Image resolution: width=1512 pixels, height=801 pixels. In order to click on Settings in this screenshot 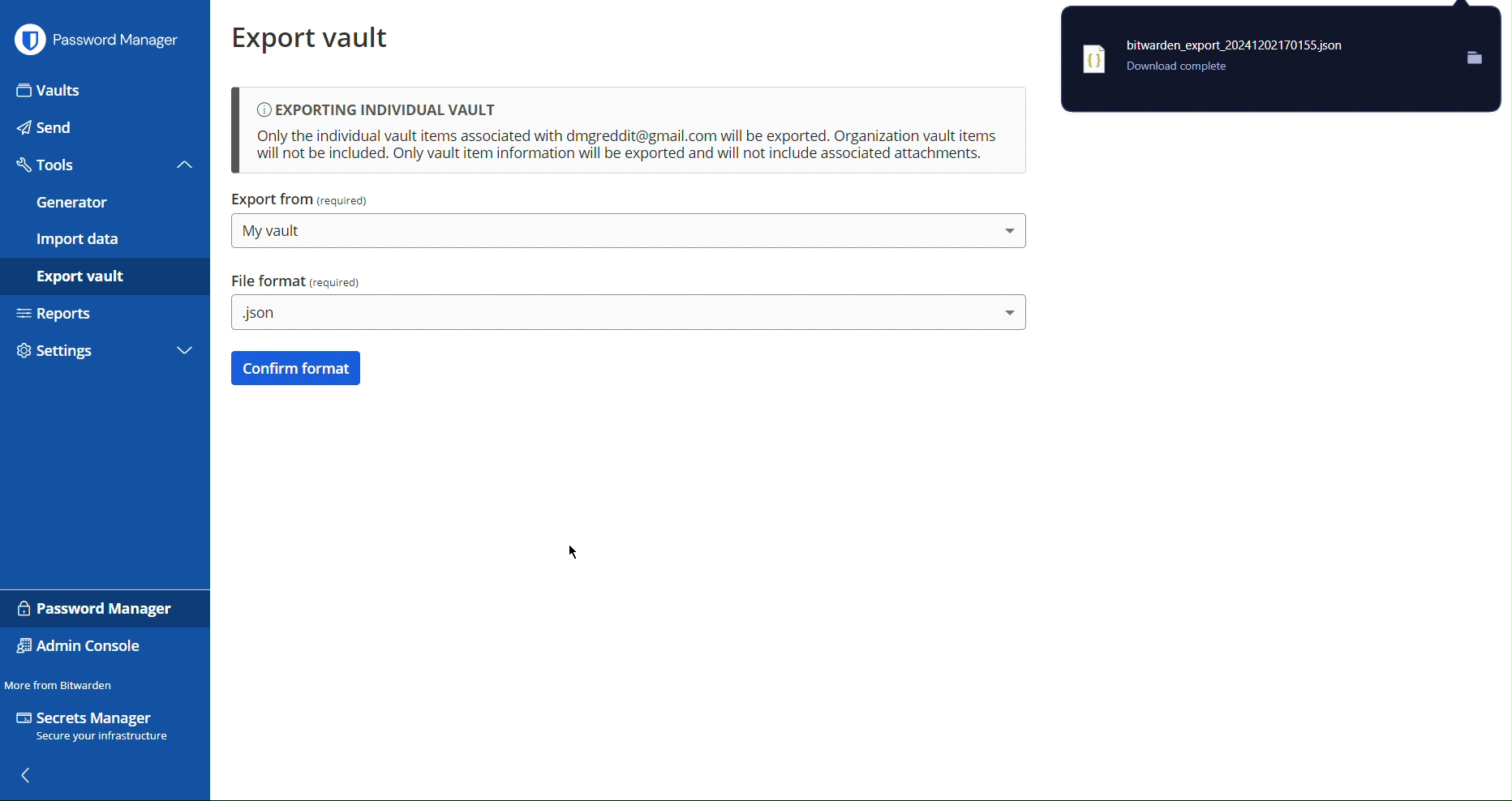, I will do `click(106, 356)`.